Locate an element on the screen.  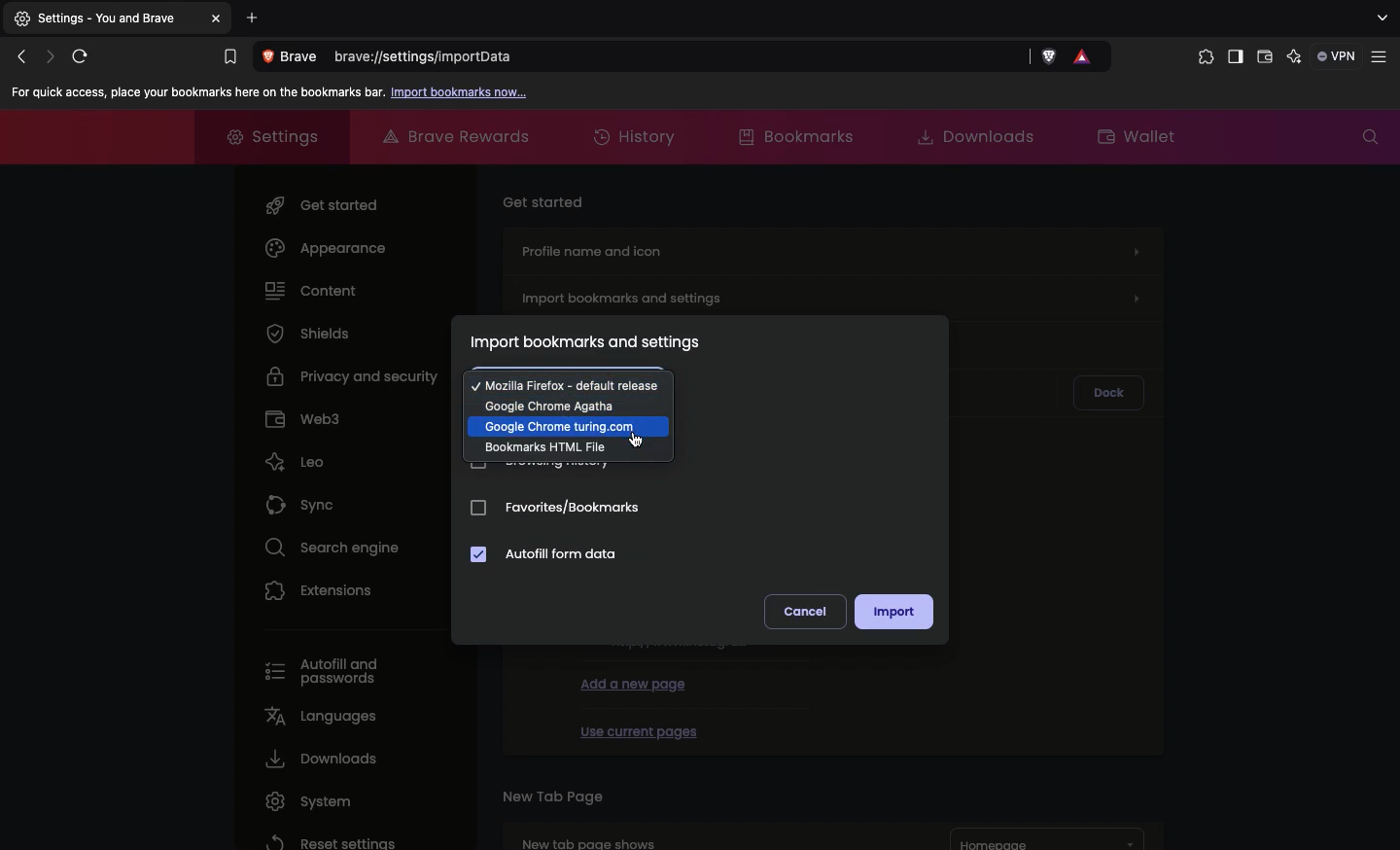
Favorites/bookmarks is located at coordinates (555, 511).